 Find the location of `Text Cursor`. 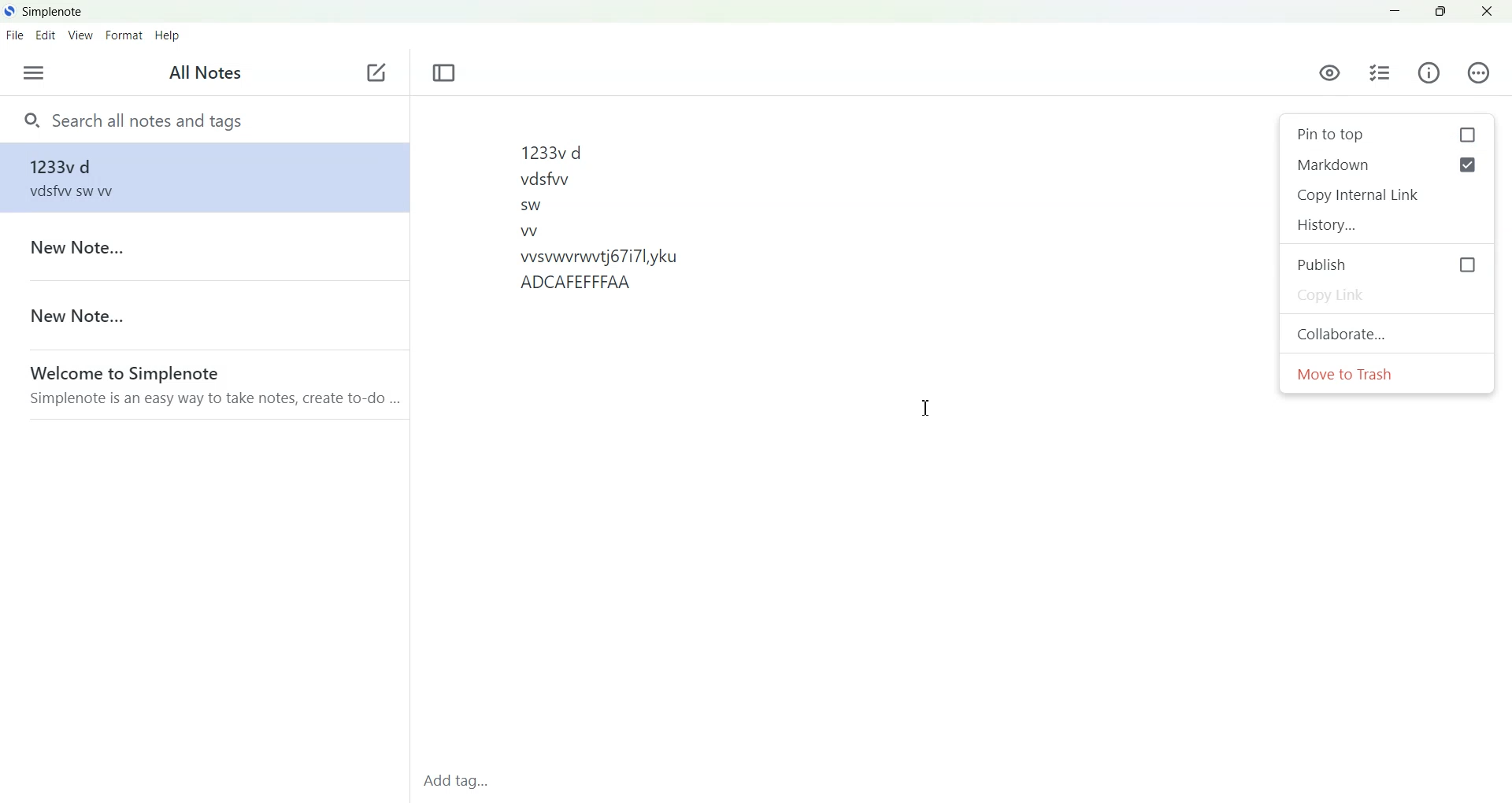

Text Cursor is located at coordinates (928, 408).